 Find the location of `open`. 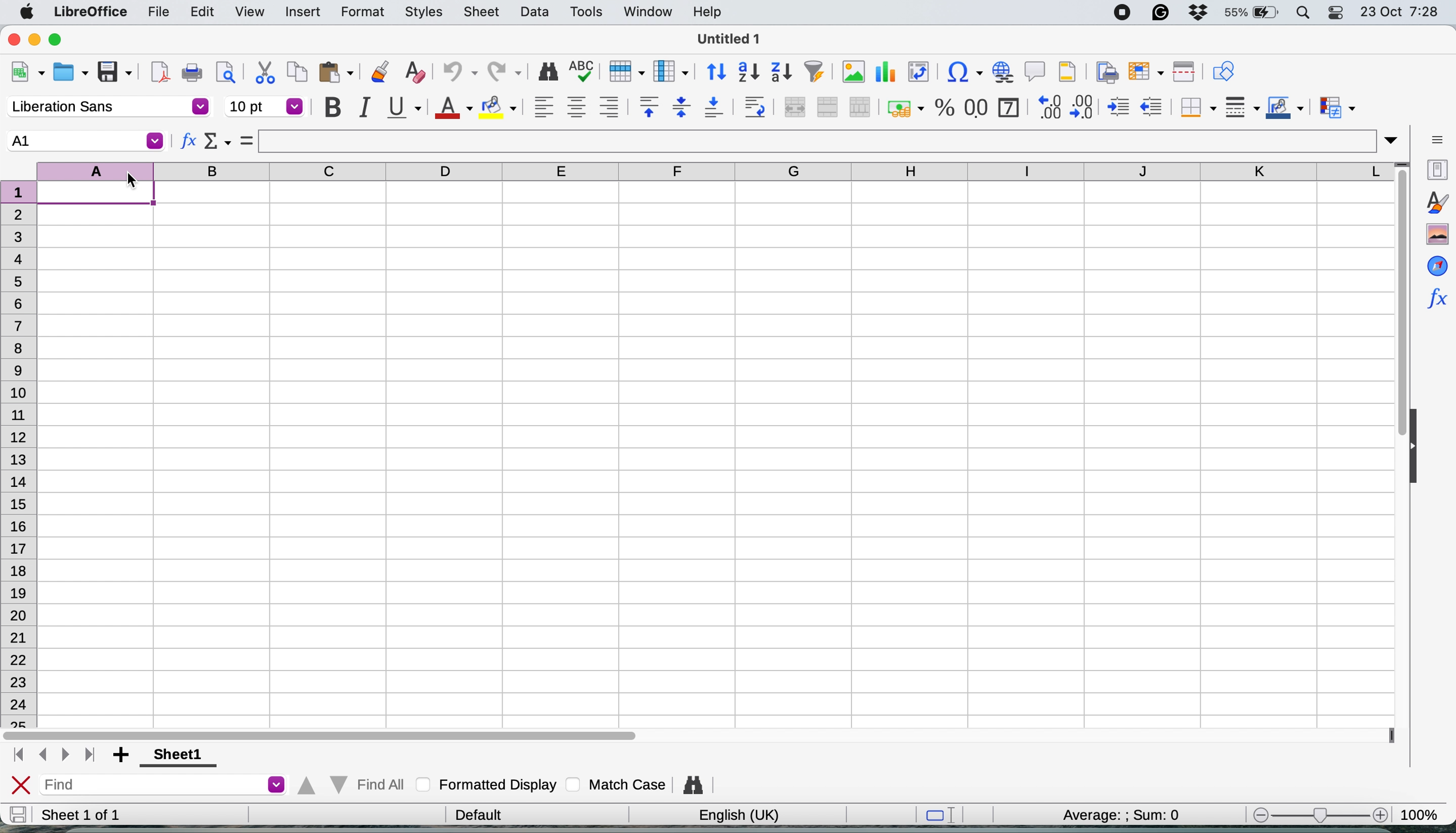

open is located at coordinates (73, 72).